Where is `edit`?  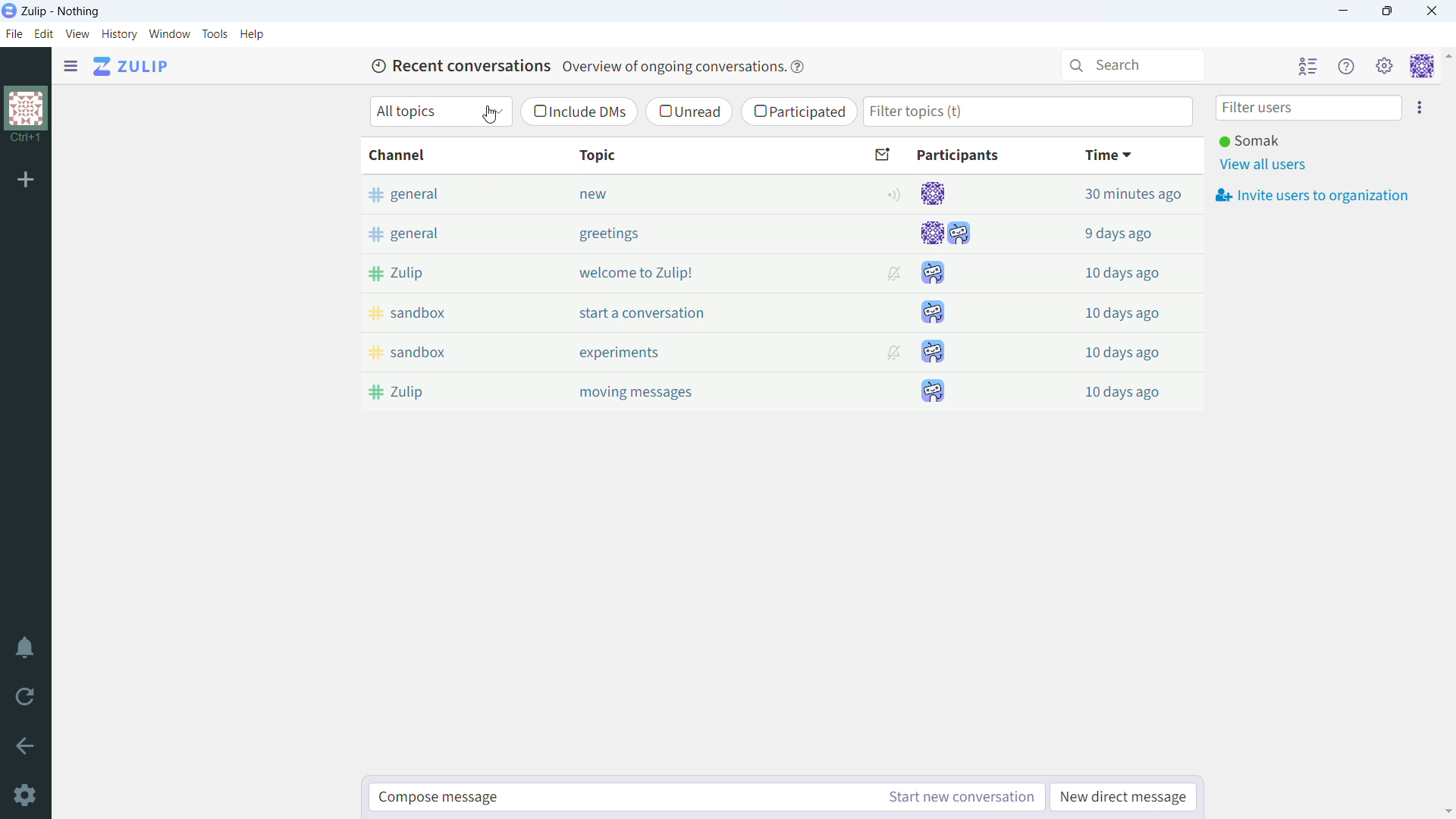
edit is located at coordinates (44, 34).